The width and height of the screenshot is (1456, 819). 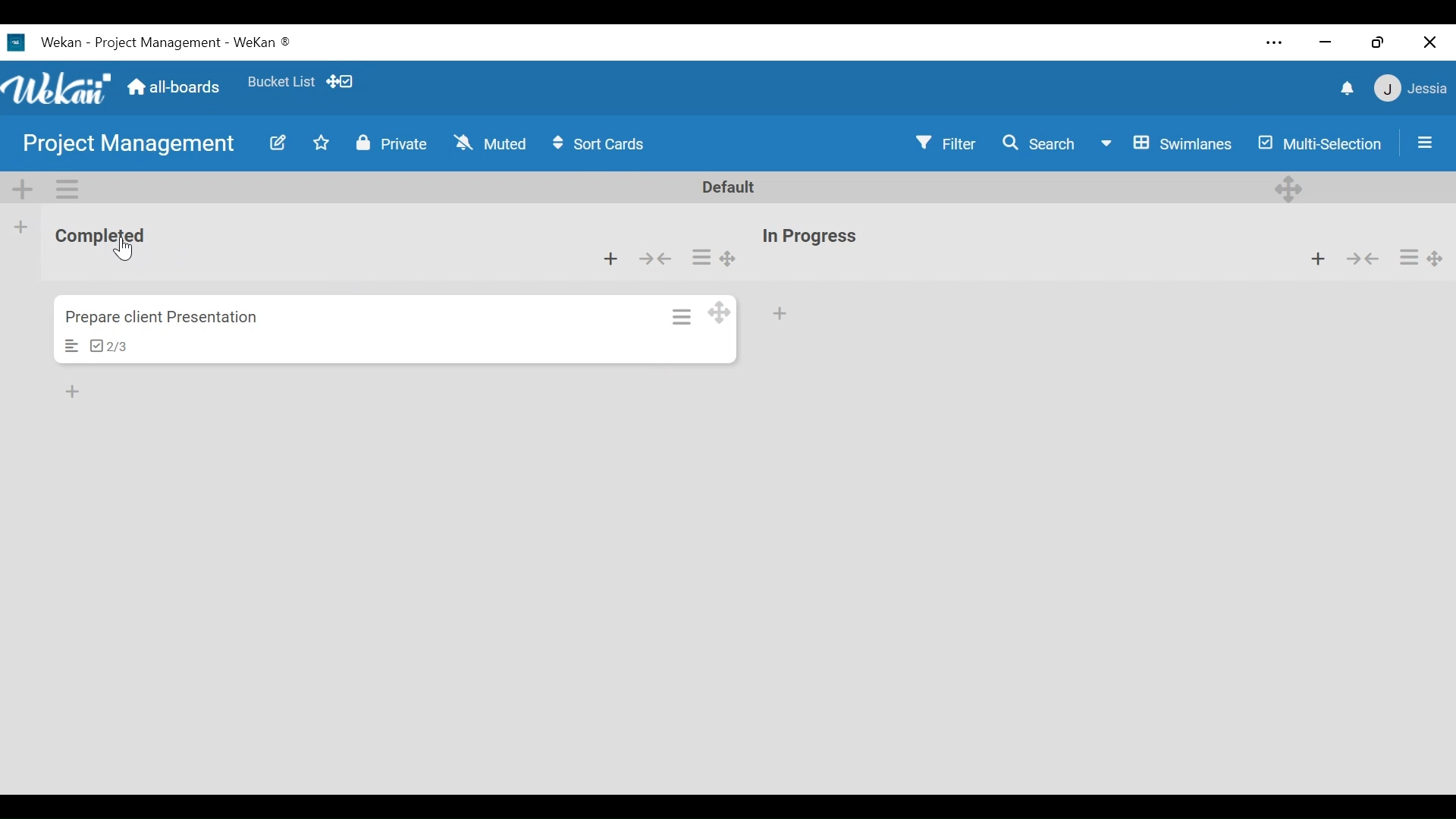 What do you see at coordinates (1318, 260) in the screenshot?
I see `Add Card at the top of the list` at bounding box center [1318, 260].